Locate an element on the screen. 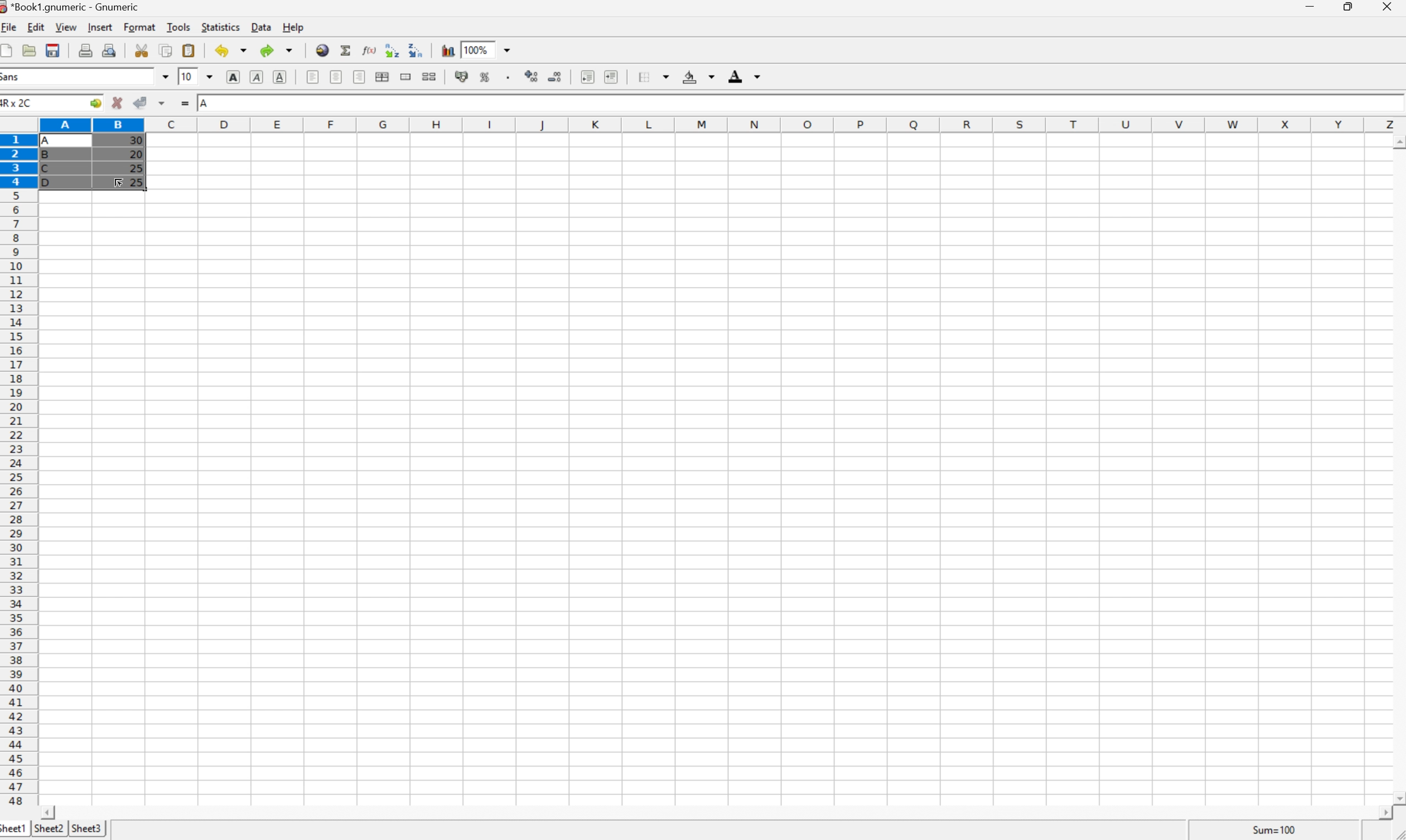  Merge horizontally across the selection is located at coordinates (382, 76).